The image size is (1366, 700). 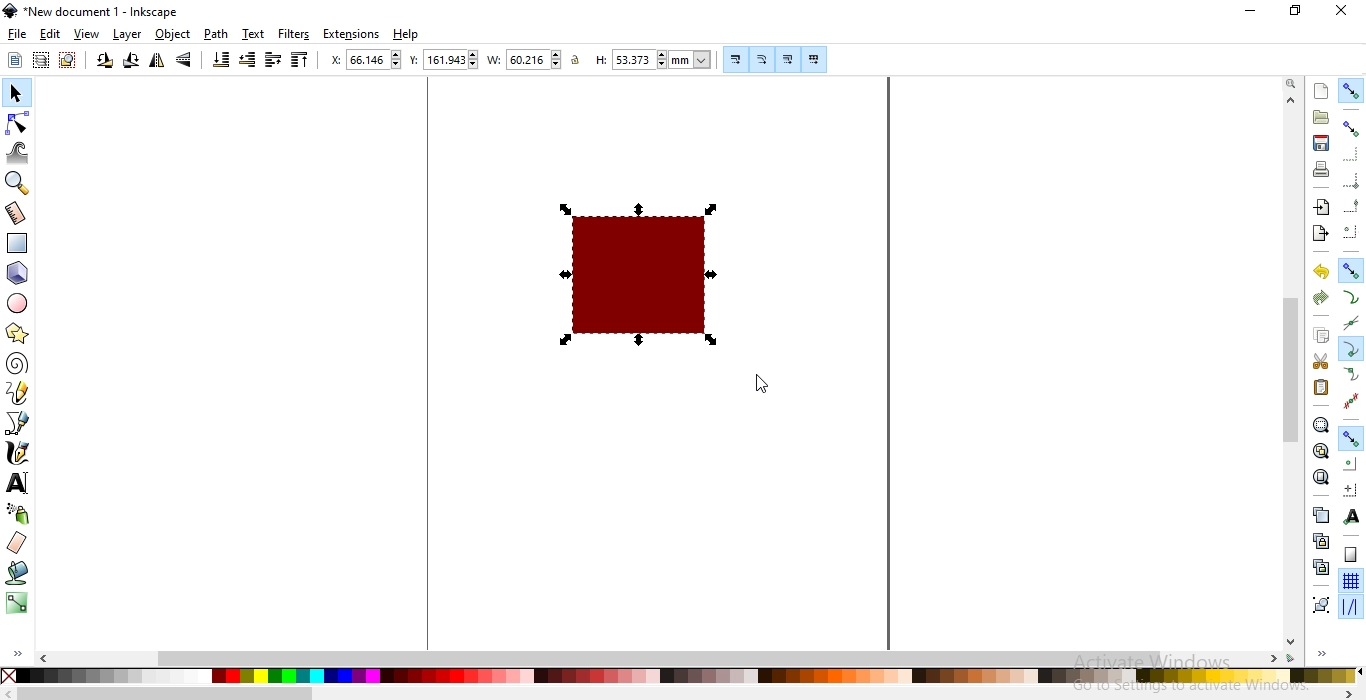 I want to click on select all objects in all visible and unlocked layers, so click(x=40, y=62).